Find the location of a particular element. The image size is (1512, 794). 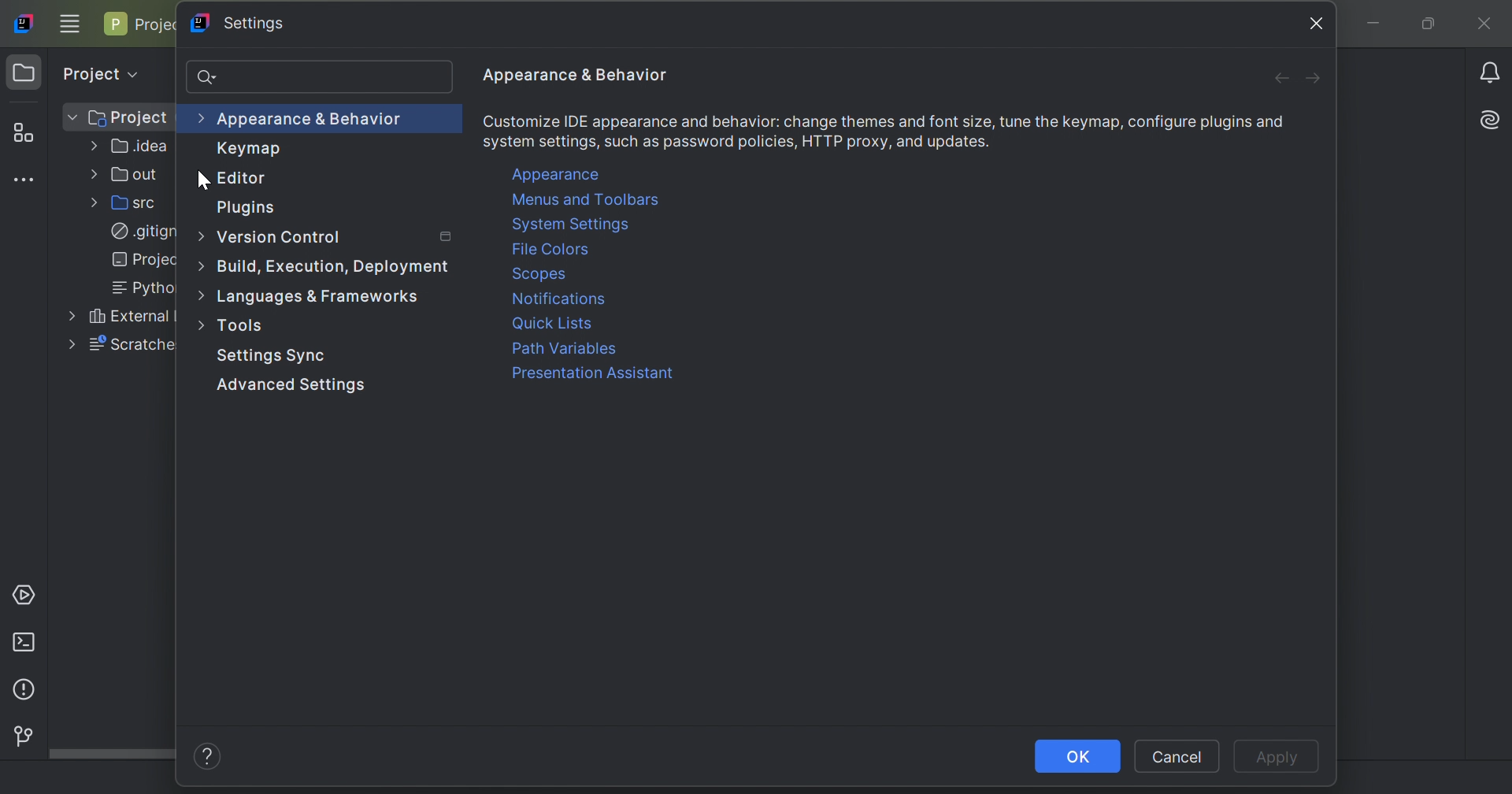

Appearance bar is located at coordinates (303, 121).